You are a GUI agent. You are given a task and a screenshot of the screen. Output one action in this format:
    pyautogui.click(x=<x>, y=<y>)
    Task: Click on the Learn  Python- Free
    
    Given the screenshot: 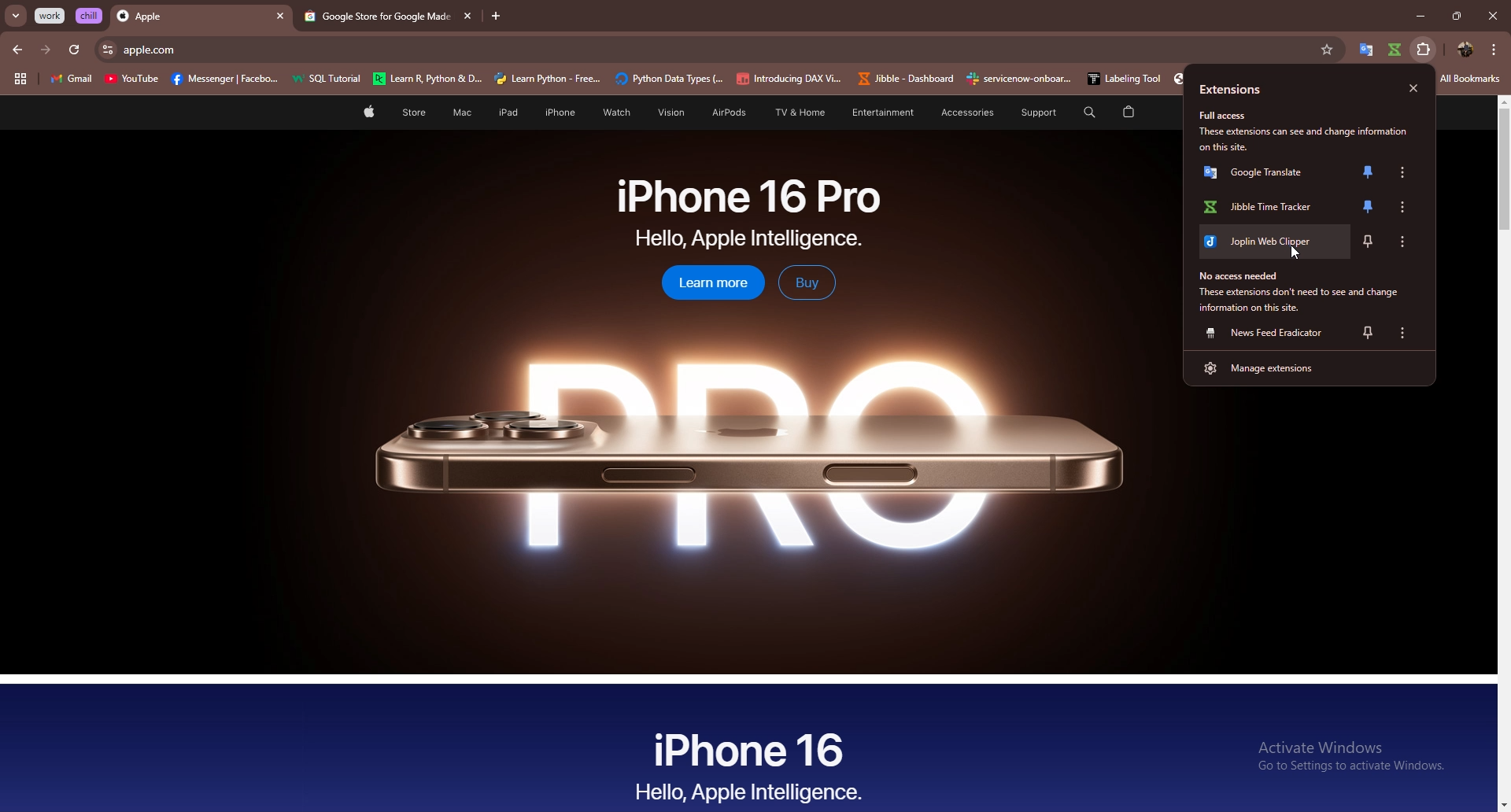 What is the action you would take?
    pyautogui.click(x=549, y=79)
    